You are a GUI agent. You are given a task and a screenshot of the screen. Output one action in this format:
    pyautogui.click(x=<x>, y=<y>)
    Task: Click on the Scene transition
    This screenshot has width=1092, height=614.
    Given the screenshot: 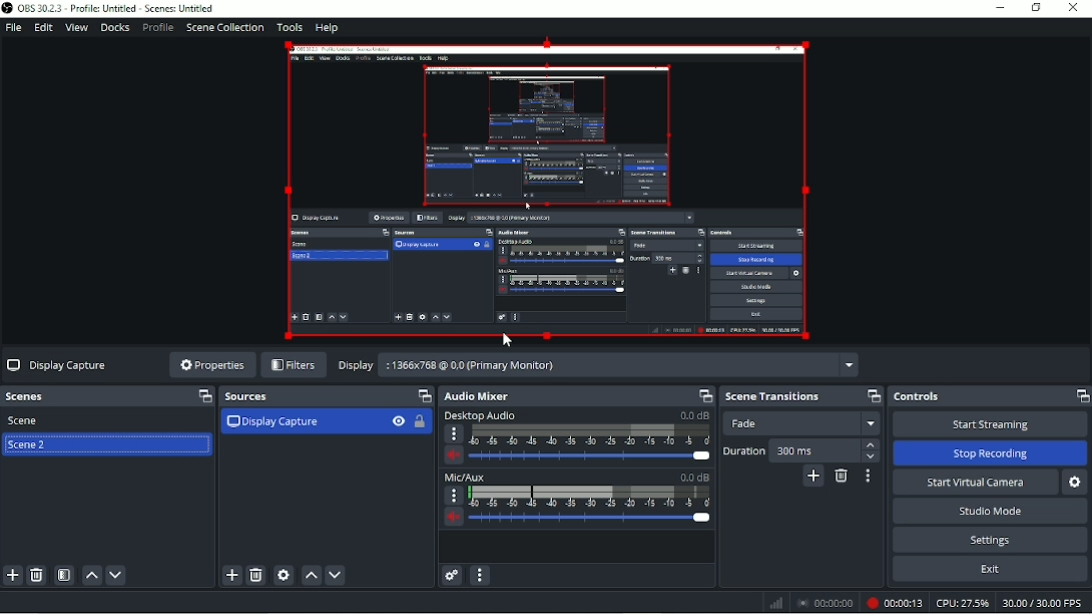 What is the action you would take?
    pyautogui.click(x=772, y=397)
    